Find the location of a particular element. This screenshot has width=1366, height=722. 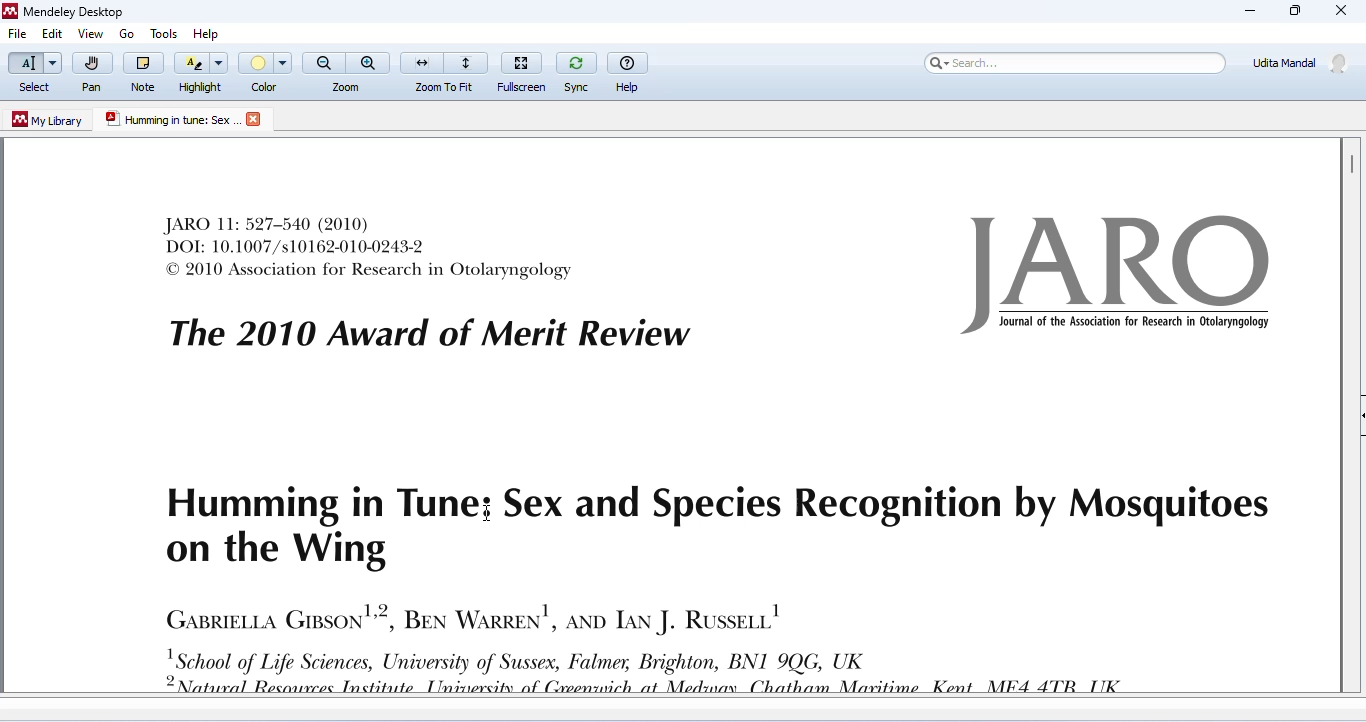

sync is located at coordinates (576, 70).